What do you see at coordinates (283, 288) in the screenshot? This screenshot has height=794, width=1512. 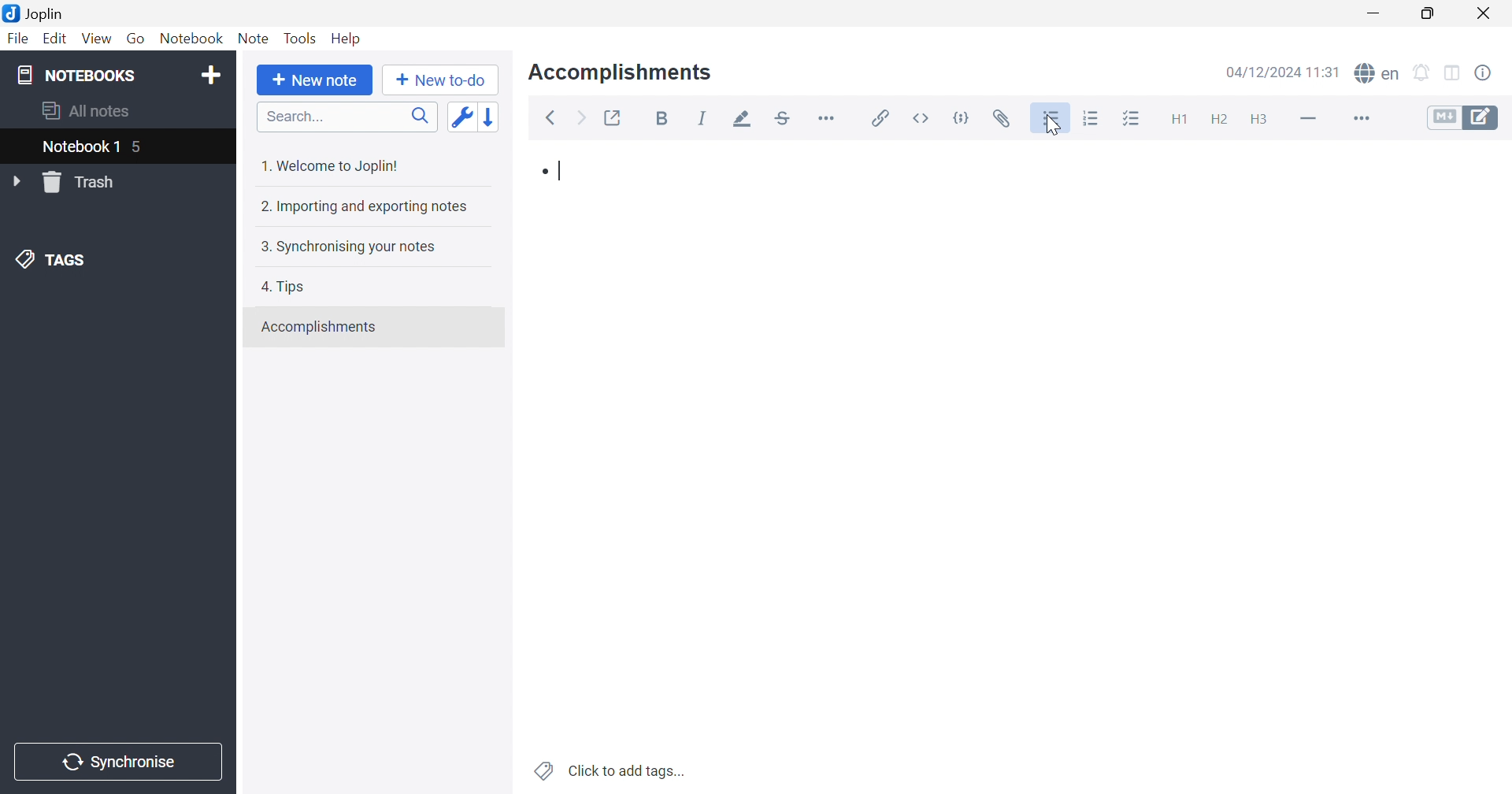 I see `4. Tips` at bounding box center [283, 288].